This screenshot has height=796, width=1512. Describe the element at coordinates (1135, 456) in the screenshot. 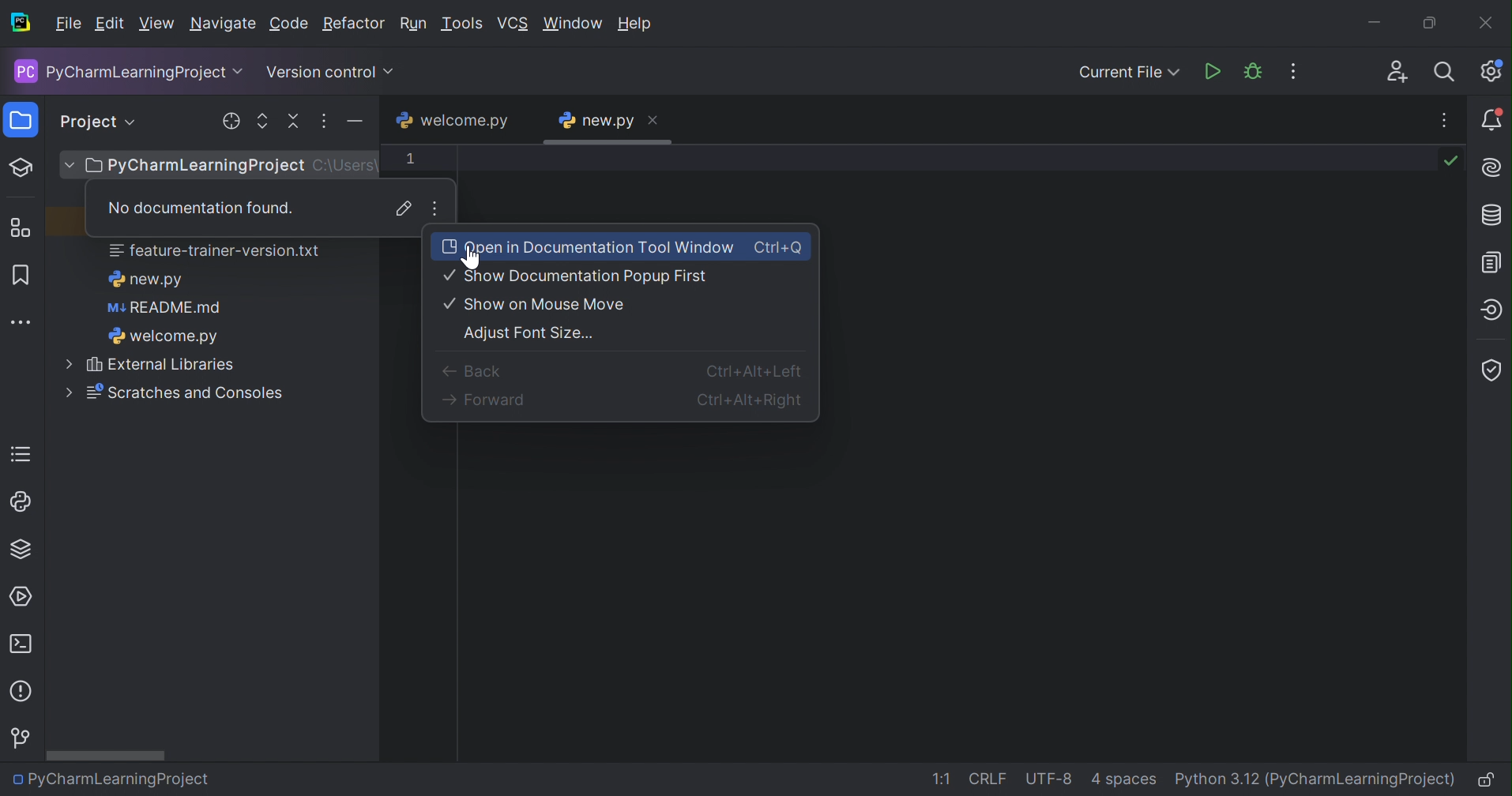

I see `work space` at that location.